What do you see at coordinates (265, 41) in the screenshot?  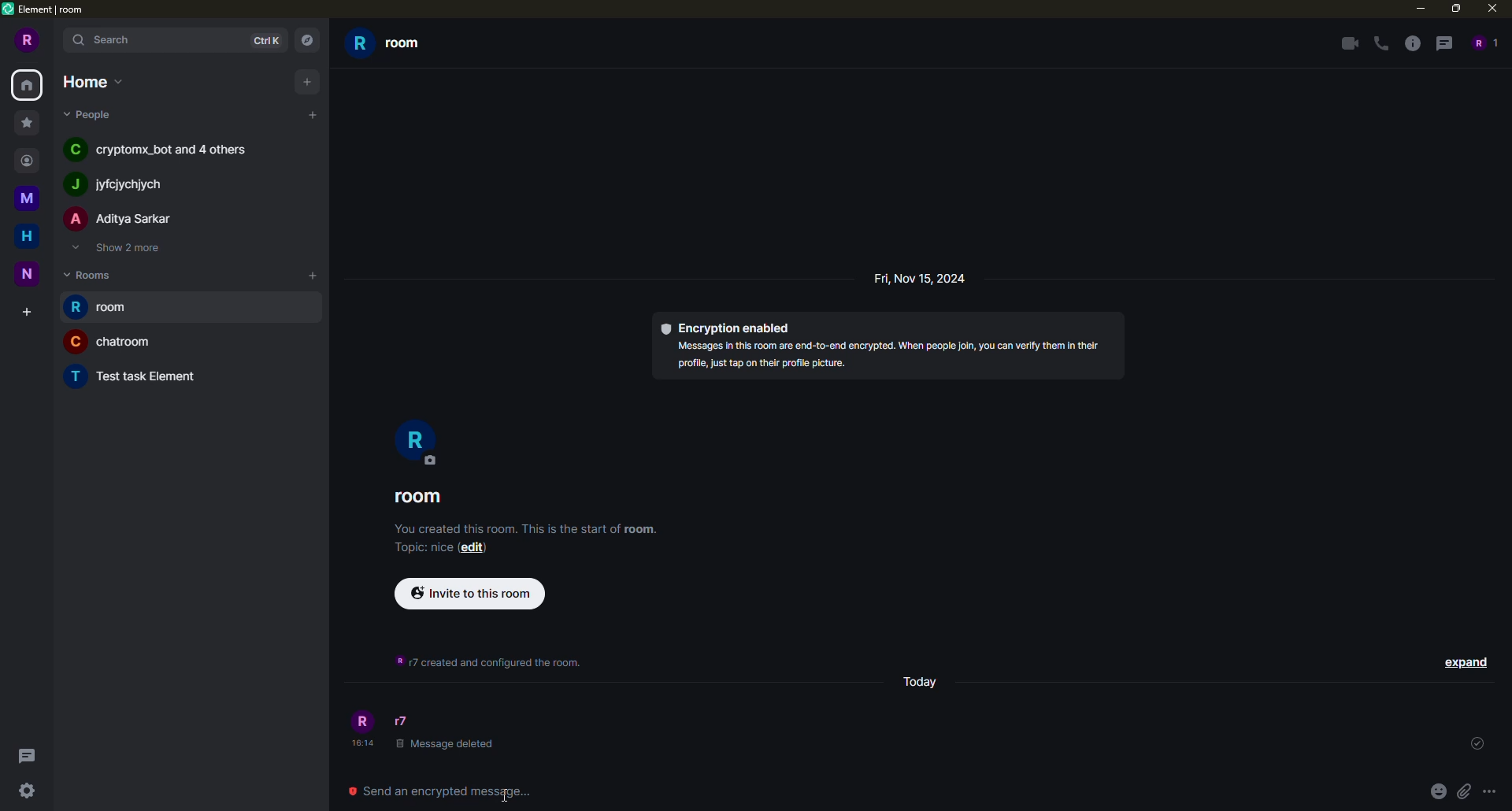 I see `ctrlK` at bounding box center [265, 41].